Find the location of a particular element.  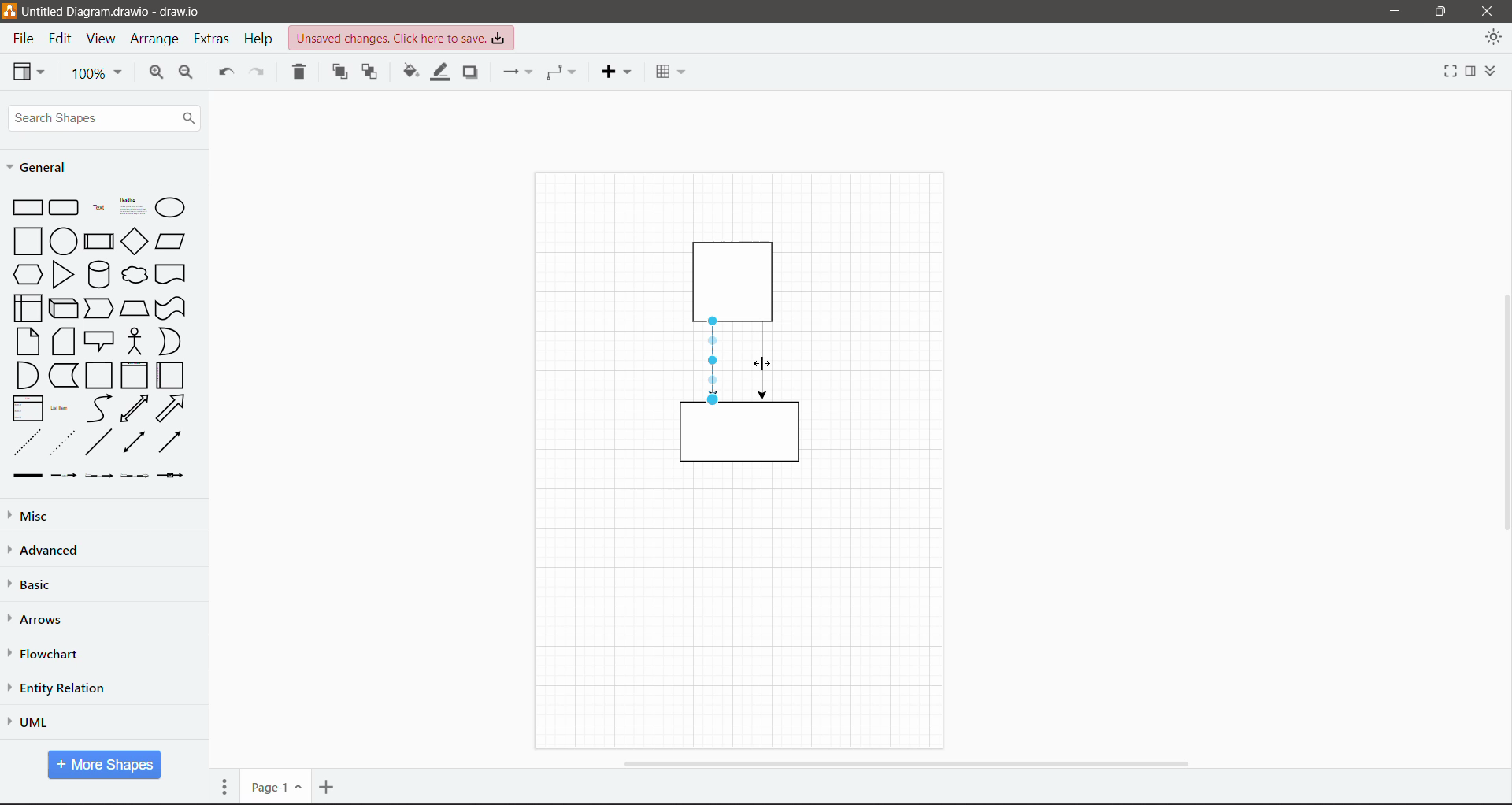

Appearance is located at coordinates (1493, 39).